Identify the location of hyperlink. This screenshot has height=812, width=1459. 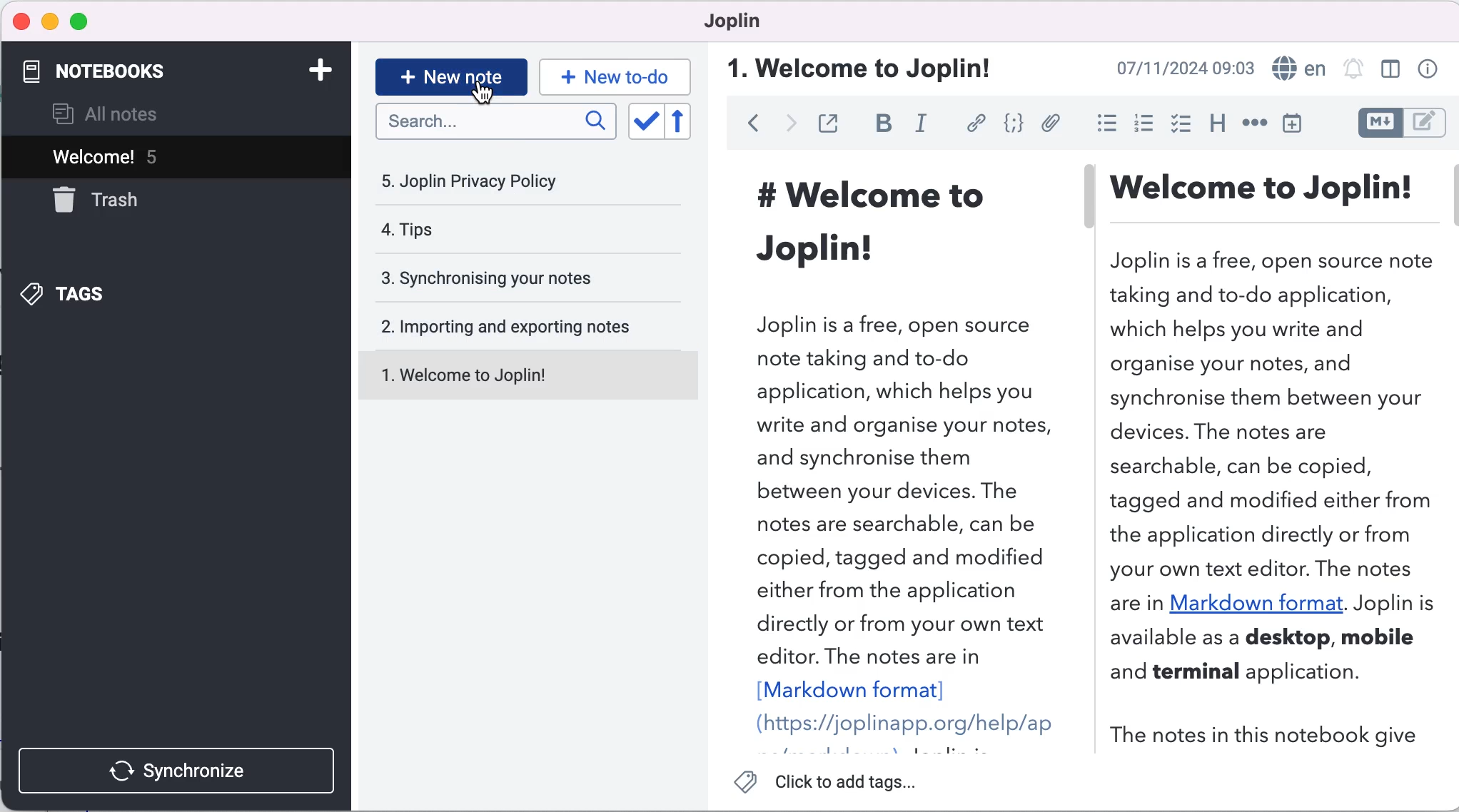
(973, 124).